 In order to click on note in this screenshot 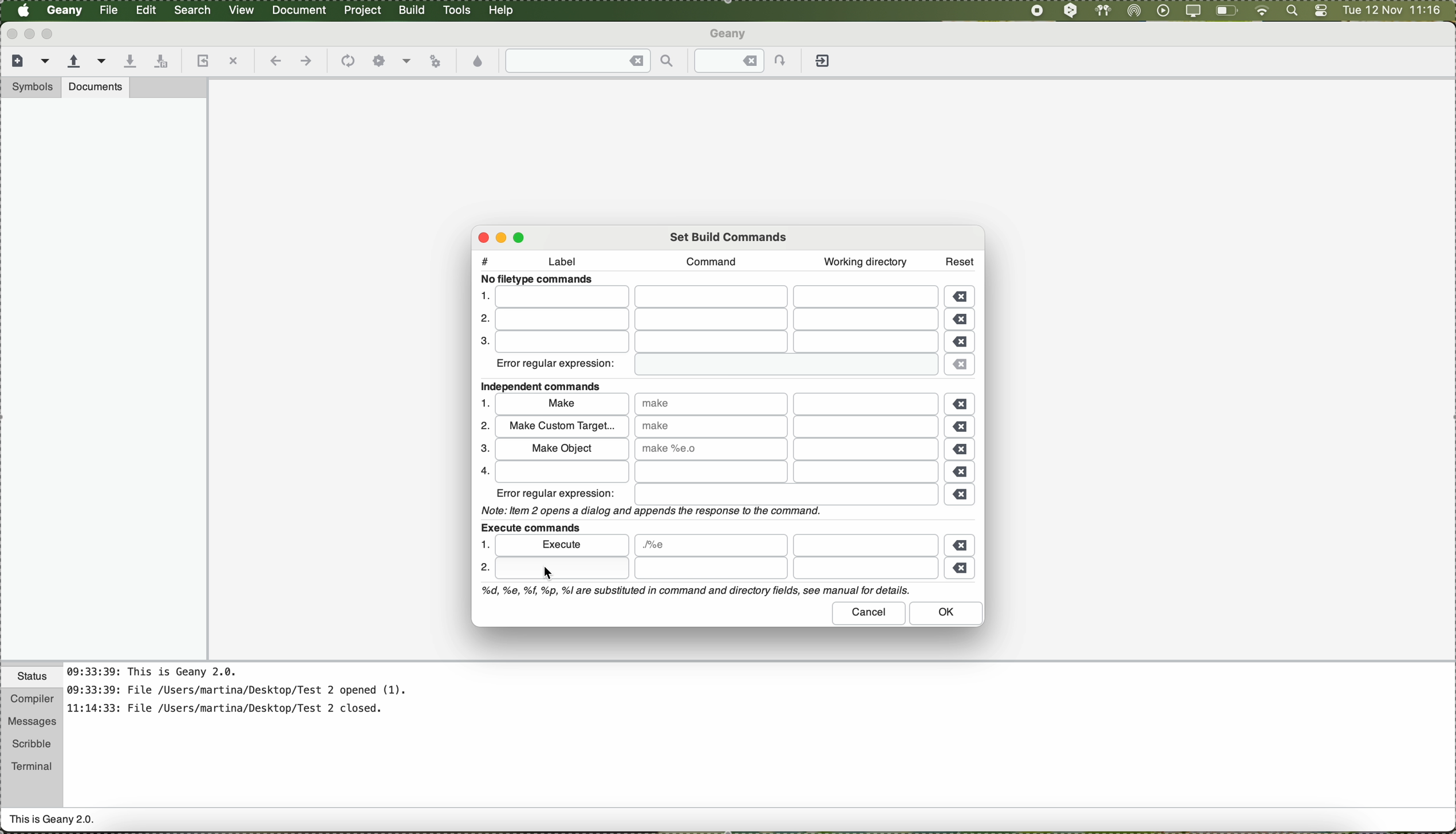, I will do `click(649, 510)`.